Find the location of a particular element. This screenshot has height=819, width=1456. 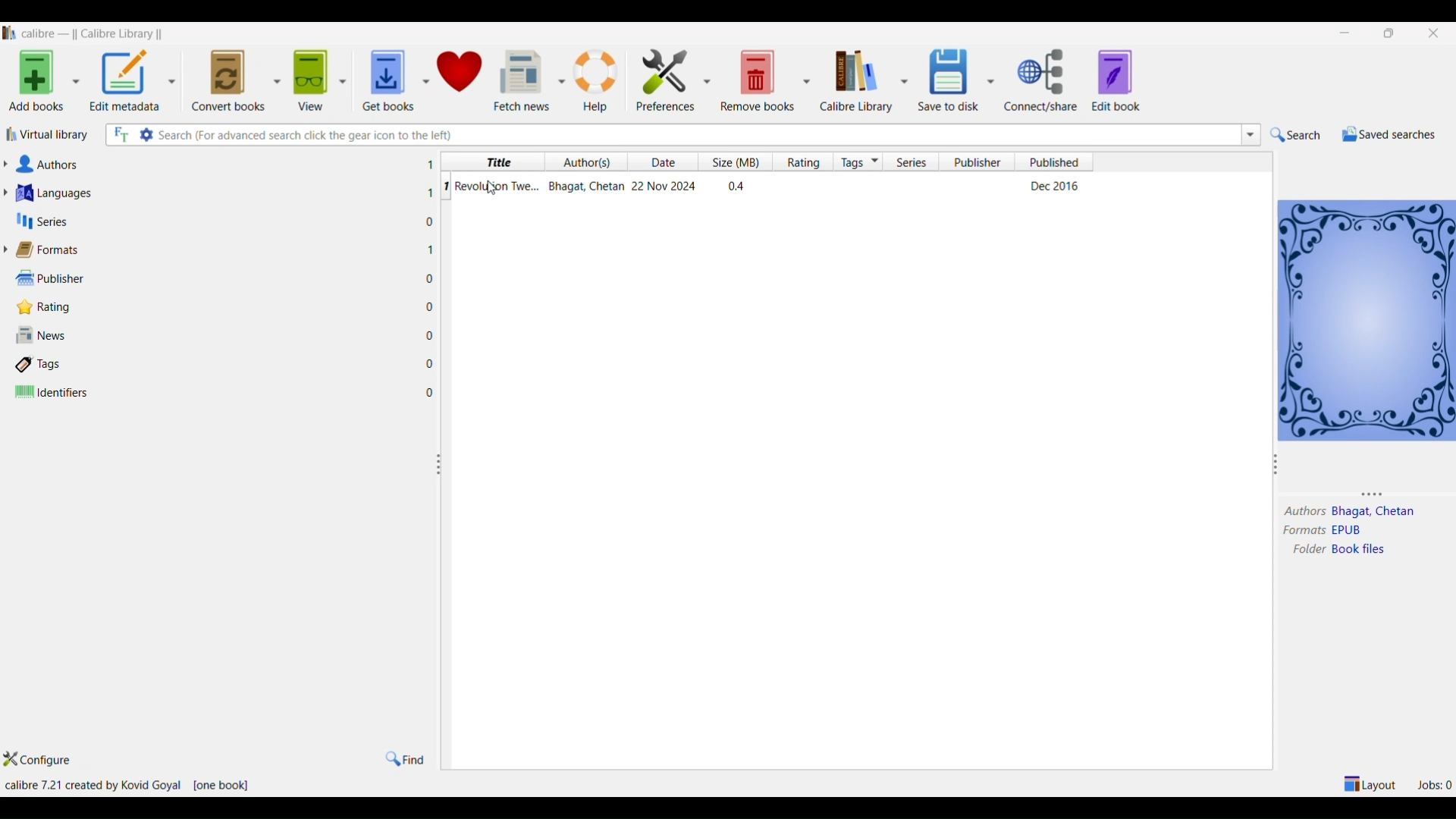

EDIT BOOKS is located at coordinates (1131, 82).